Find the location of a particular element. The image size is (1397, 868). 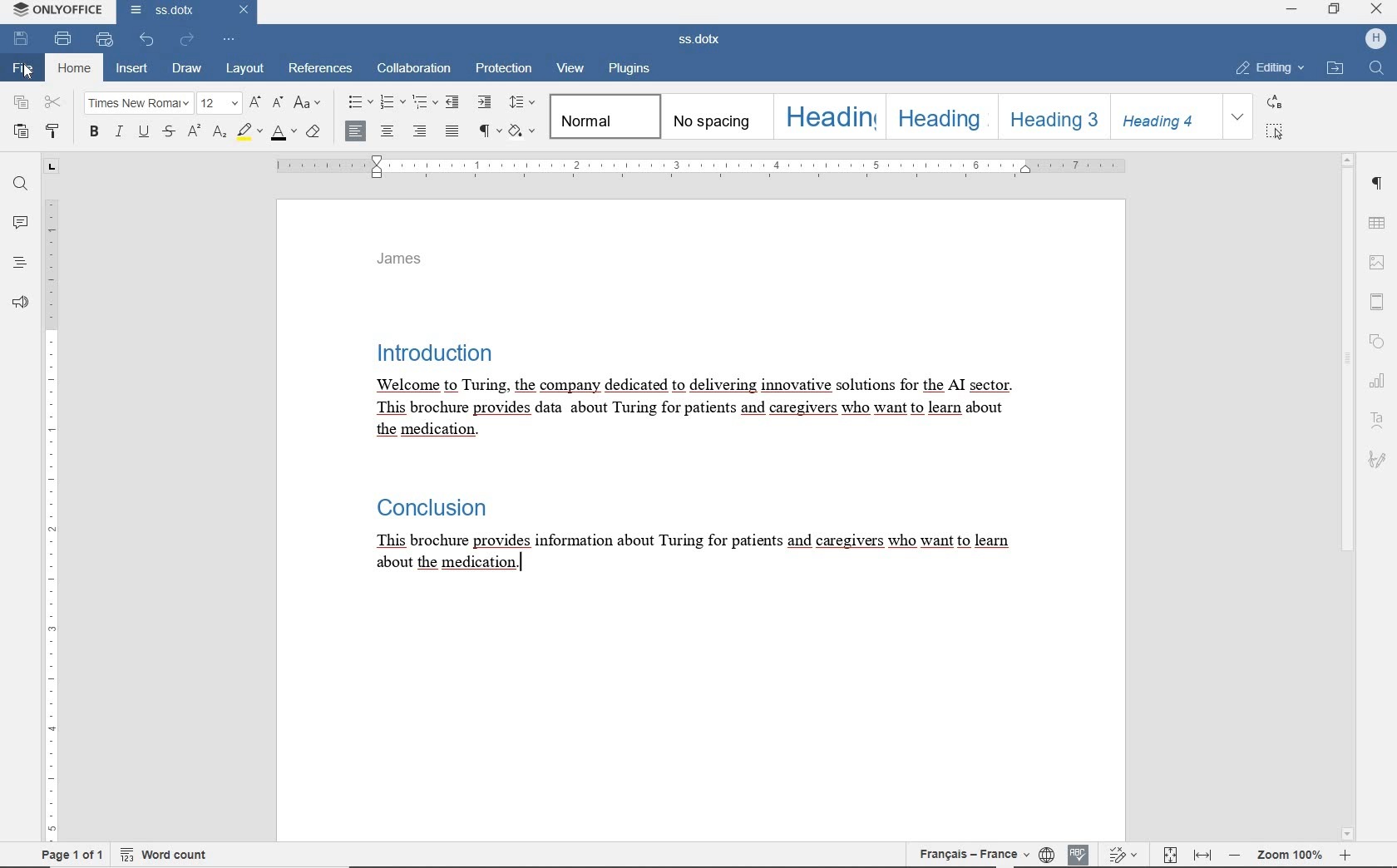

FONT COLOR is located at coordinates (283, 135).